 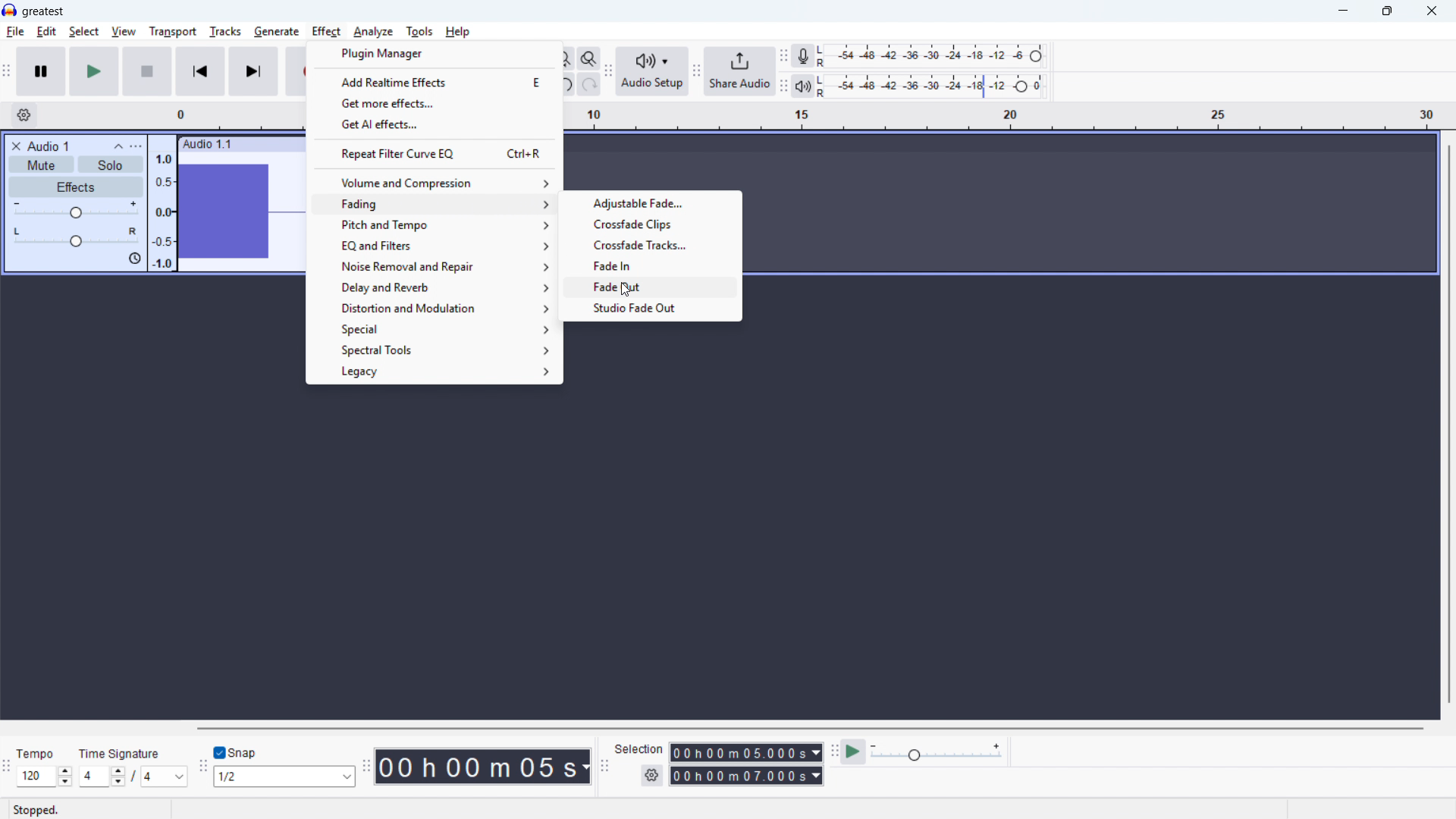 What do you see at coordinates (434, 81) in the screenshot?
I see `Add real time effects ` at bounding box center [434, 81].